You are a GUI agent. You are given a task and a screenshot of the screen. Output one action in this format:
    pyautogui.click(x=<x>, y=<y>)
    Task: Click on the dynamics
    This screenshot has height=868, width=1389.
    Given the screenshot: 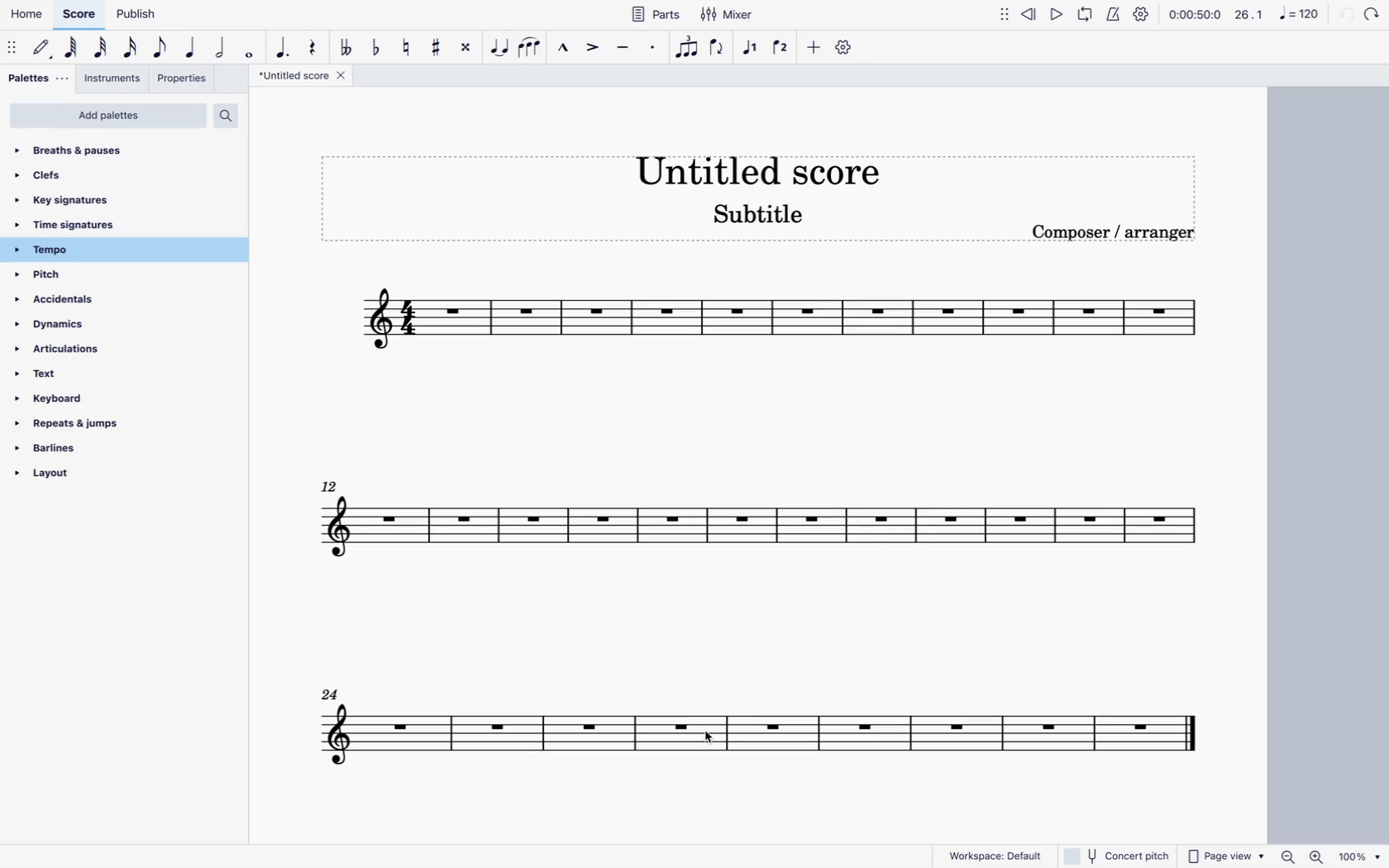 What is the action you would take?
    pyautogui.click(x=60, y=325)
    